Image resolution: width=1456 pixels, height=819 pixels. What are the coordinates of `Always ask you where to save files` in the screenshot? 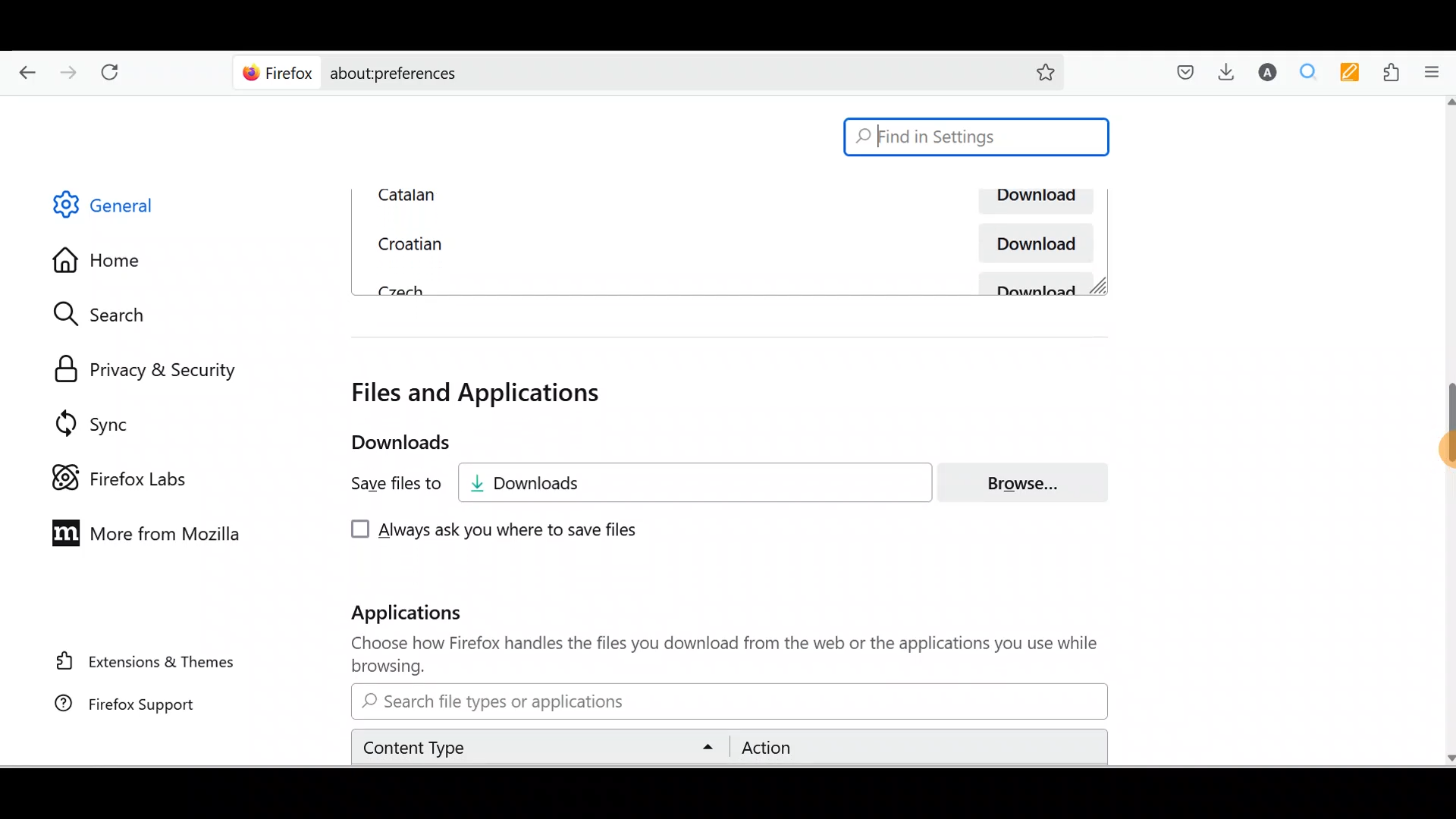 It's located at (491, 532).